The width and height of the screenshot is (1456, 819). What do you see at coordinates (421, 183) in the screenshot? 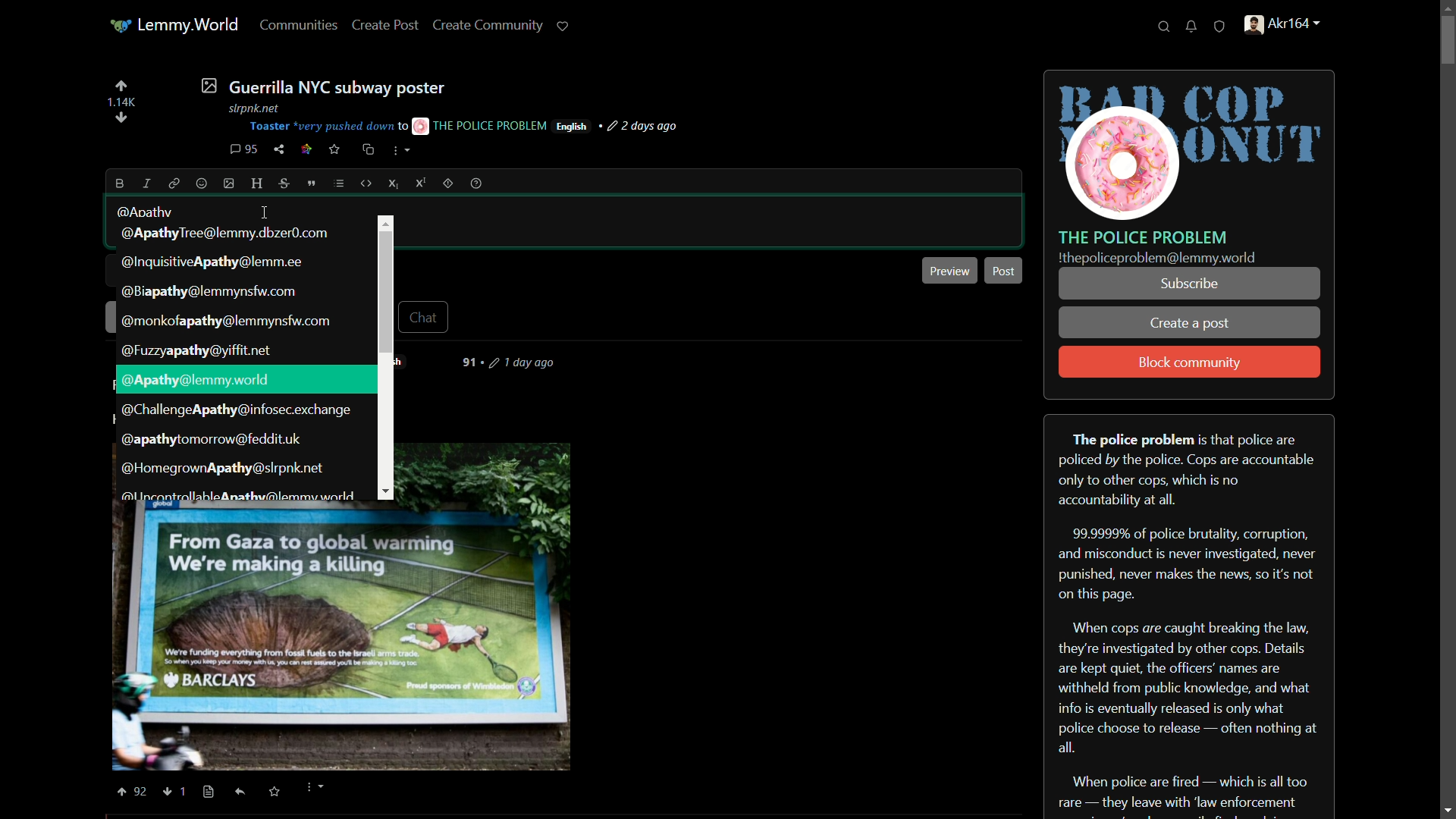
I see `superscript` at bounding box center [421, 183].